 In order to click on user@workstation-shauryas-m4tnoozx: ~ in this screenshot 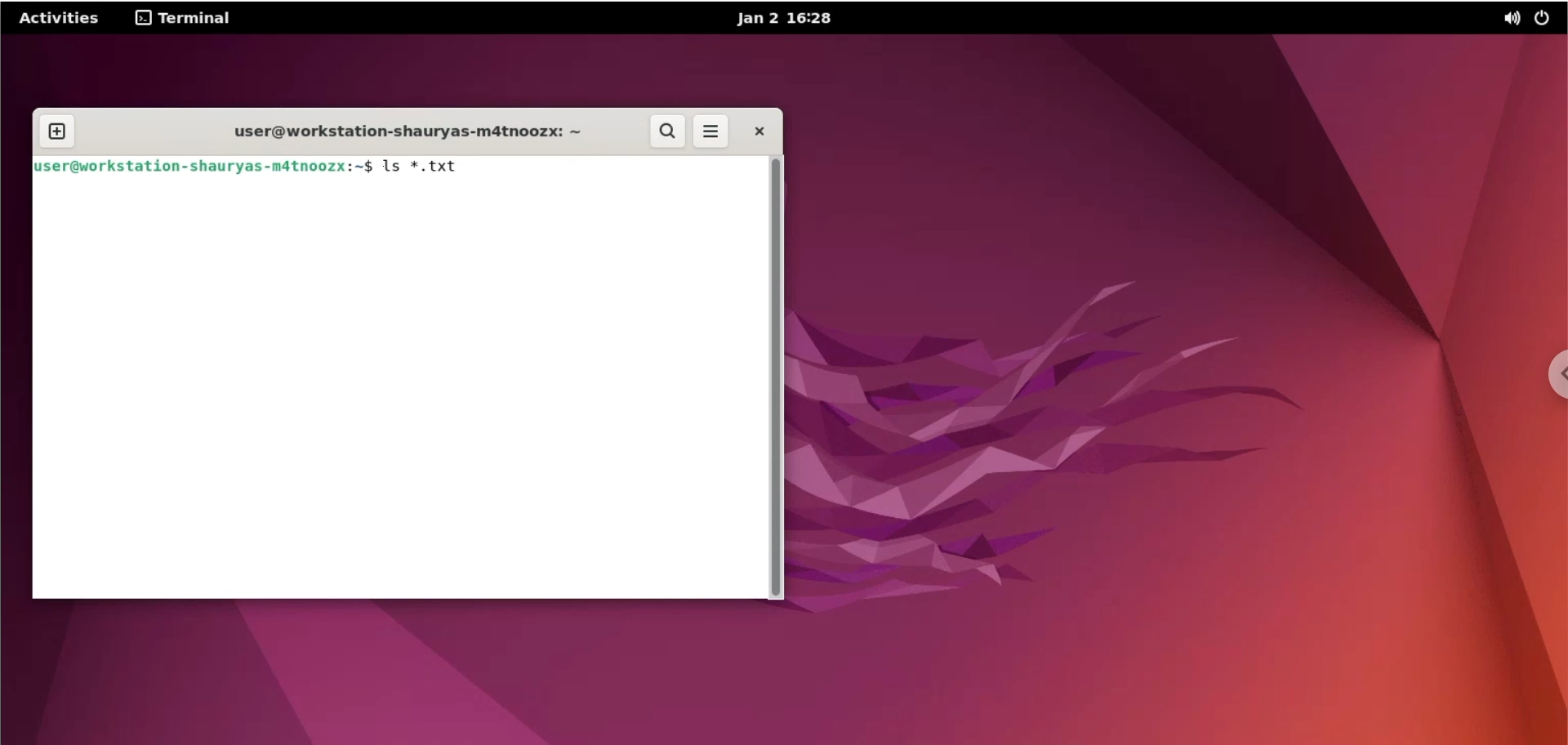, I will do `click(402, 129)`.